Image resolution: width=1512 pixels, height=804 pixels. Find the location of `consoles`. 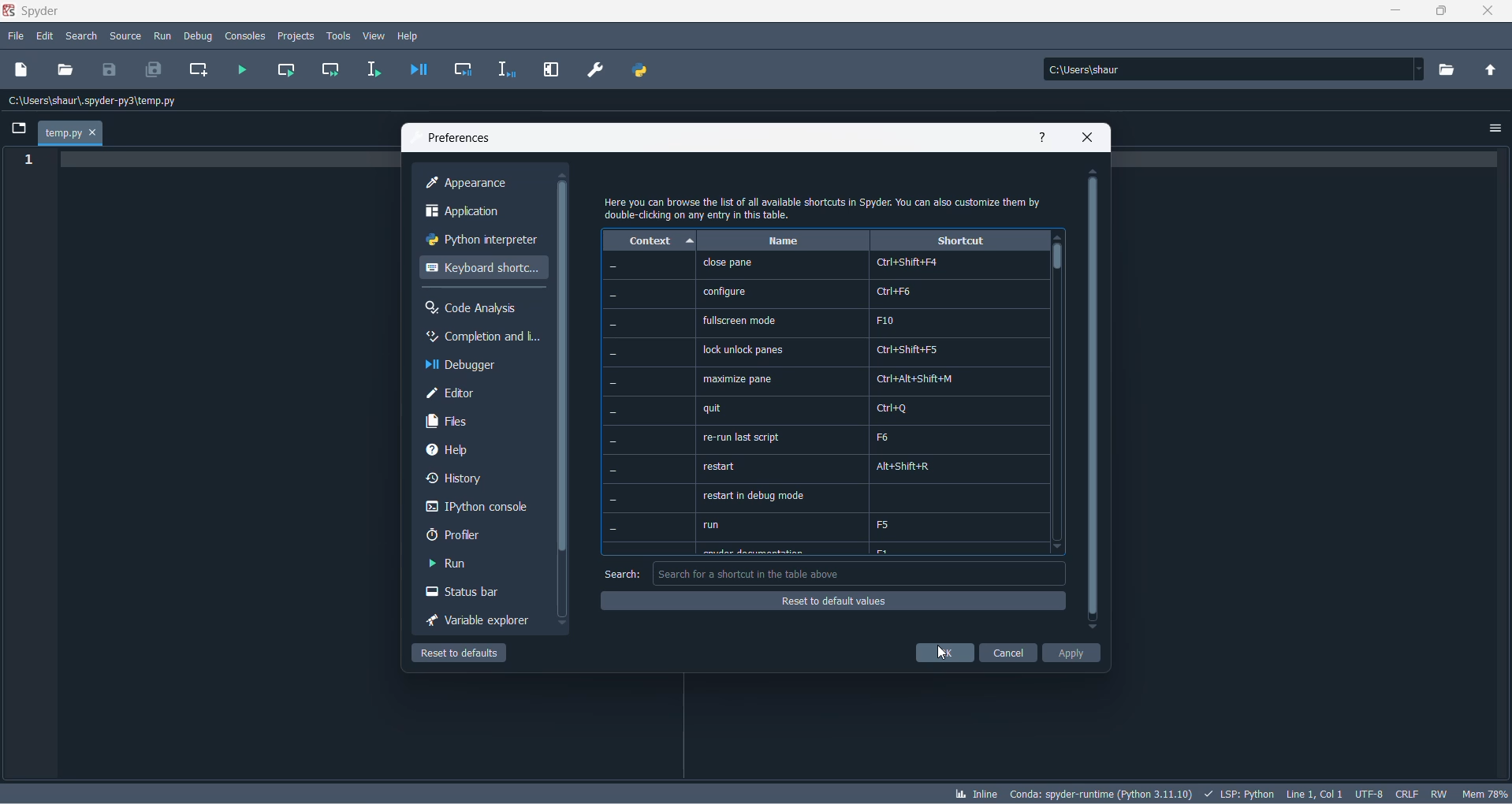

consoles is located at coordinates (245, 35).